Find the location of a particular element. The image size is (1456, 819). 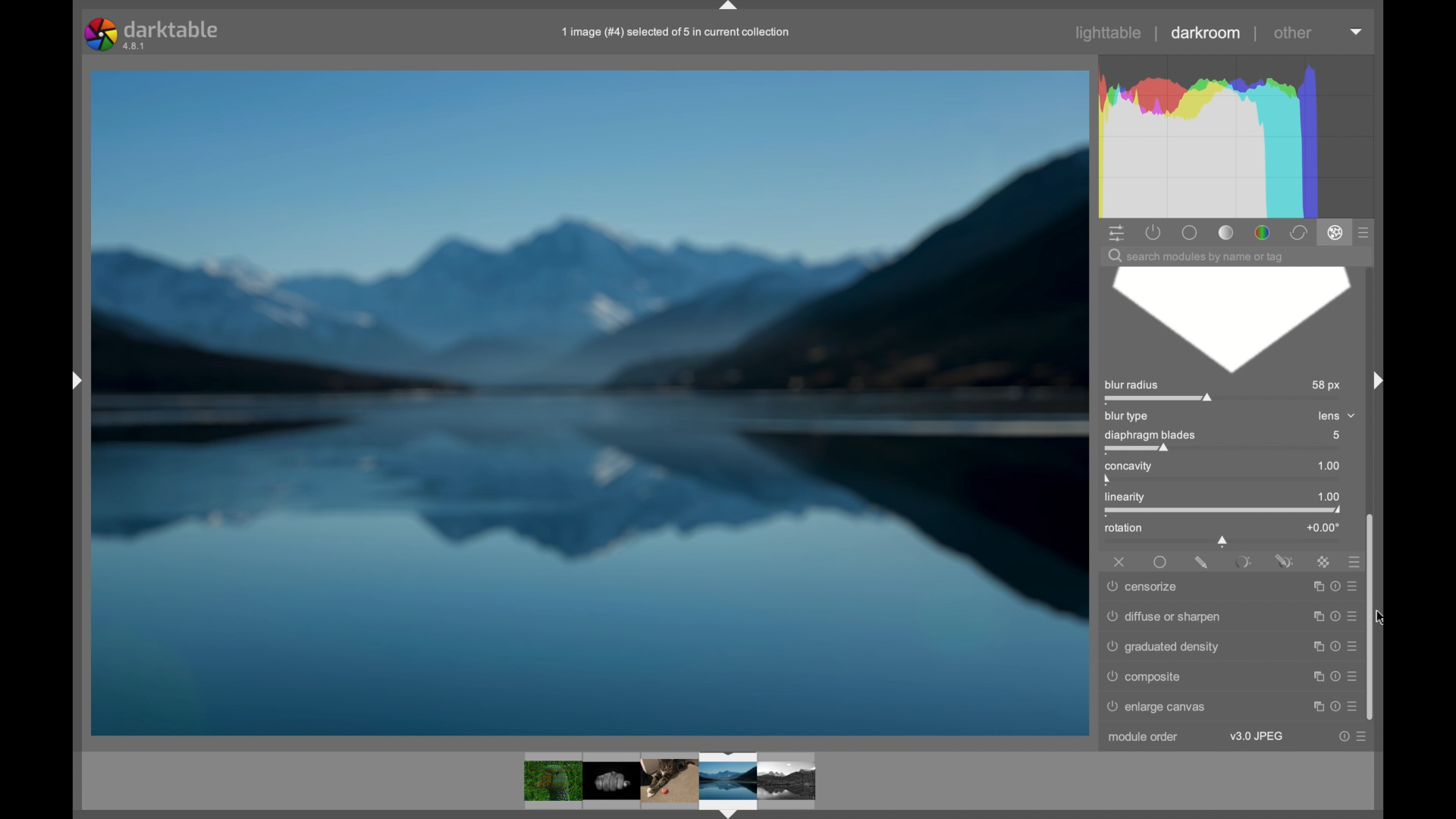

search module by name or tag is located at coordinates (1196, 256).